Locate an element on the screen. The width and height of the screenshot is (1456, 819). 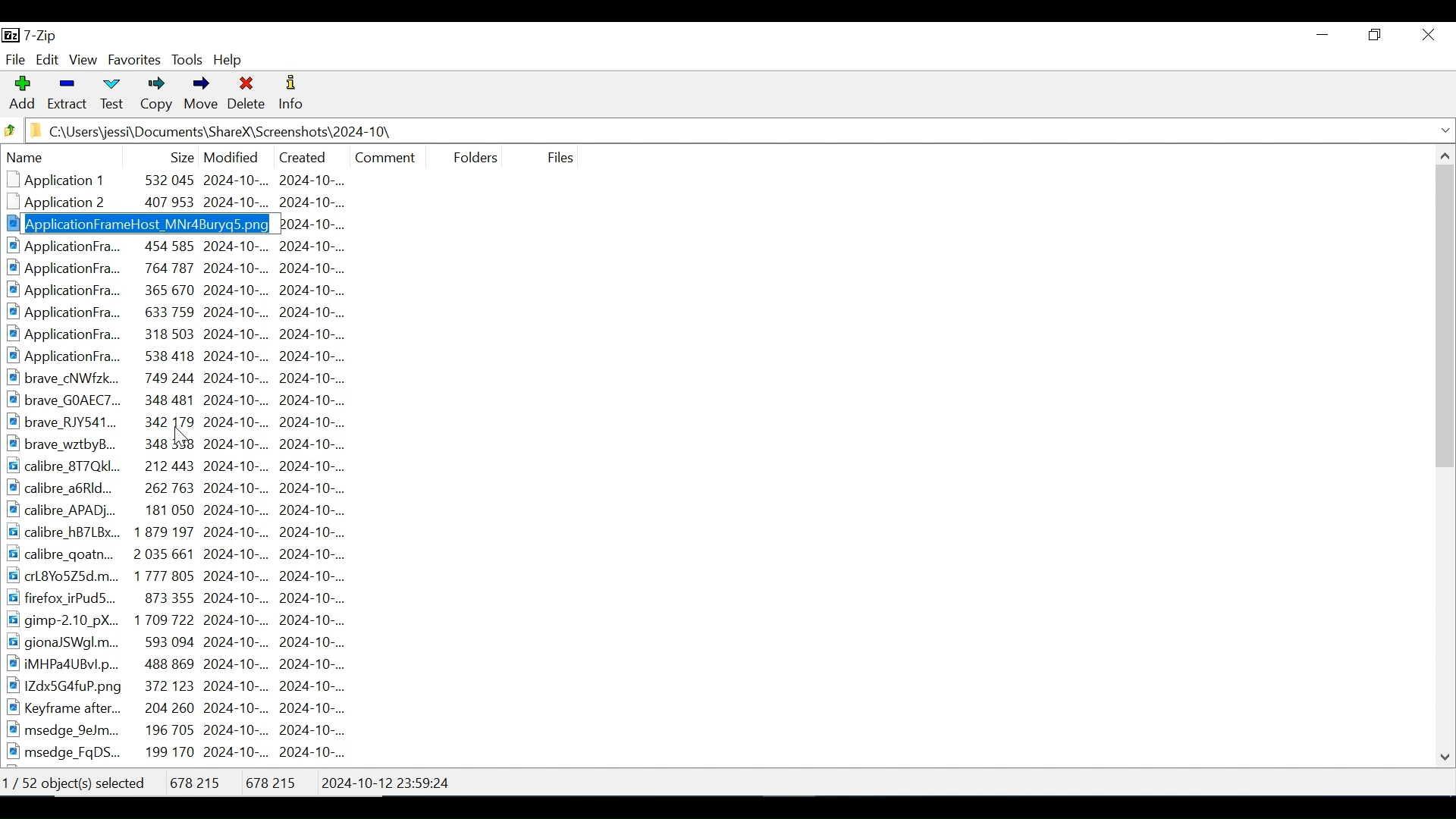
brave RJY541... 342 179 2024-10-... 2024-10-... is located at coordinates (193, 421).